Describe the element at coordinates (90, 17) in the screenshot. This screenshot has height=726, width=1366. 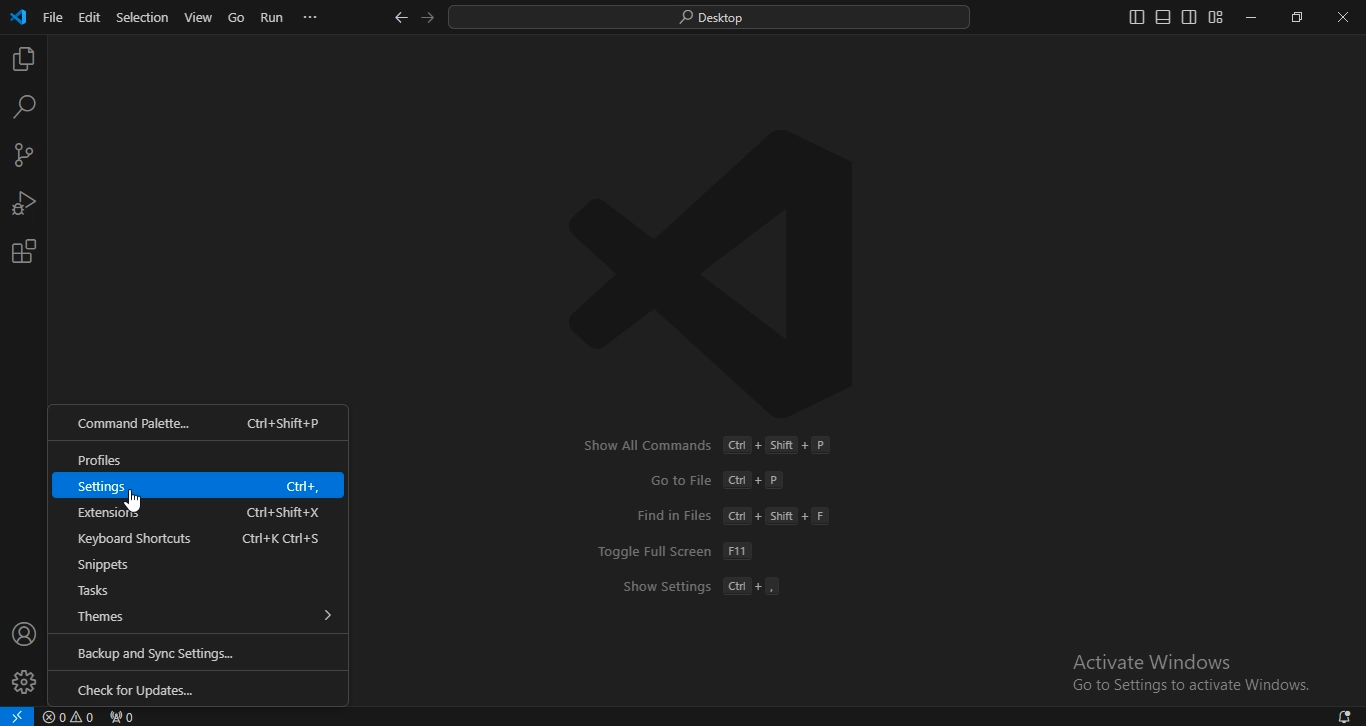
I see `edit` at that location.